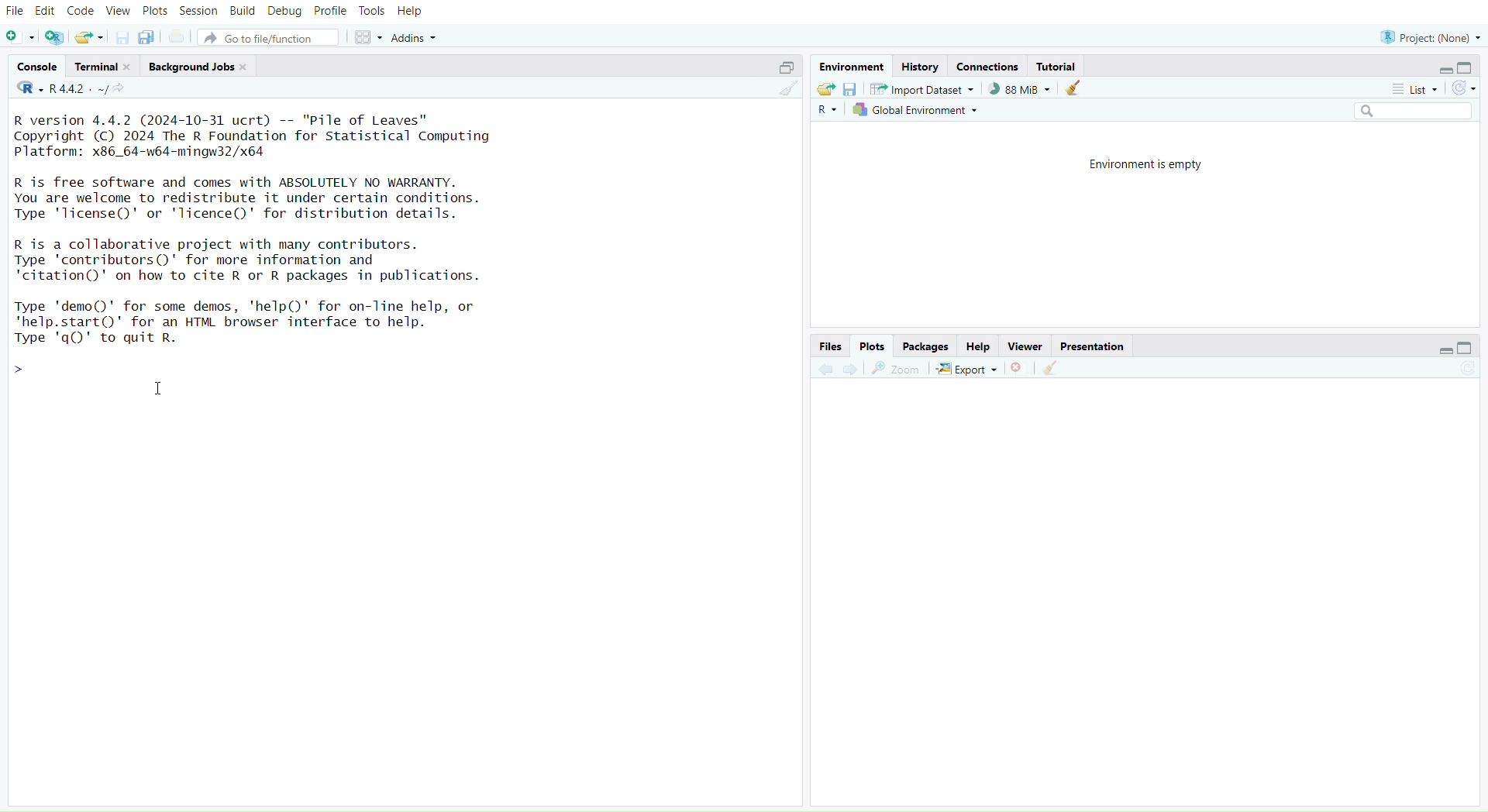  Describe the element at coordinates (987, 67) in the screenshot. I see `connections` at that location.